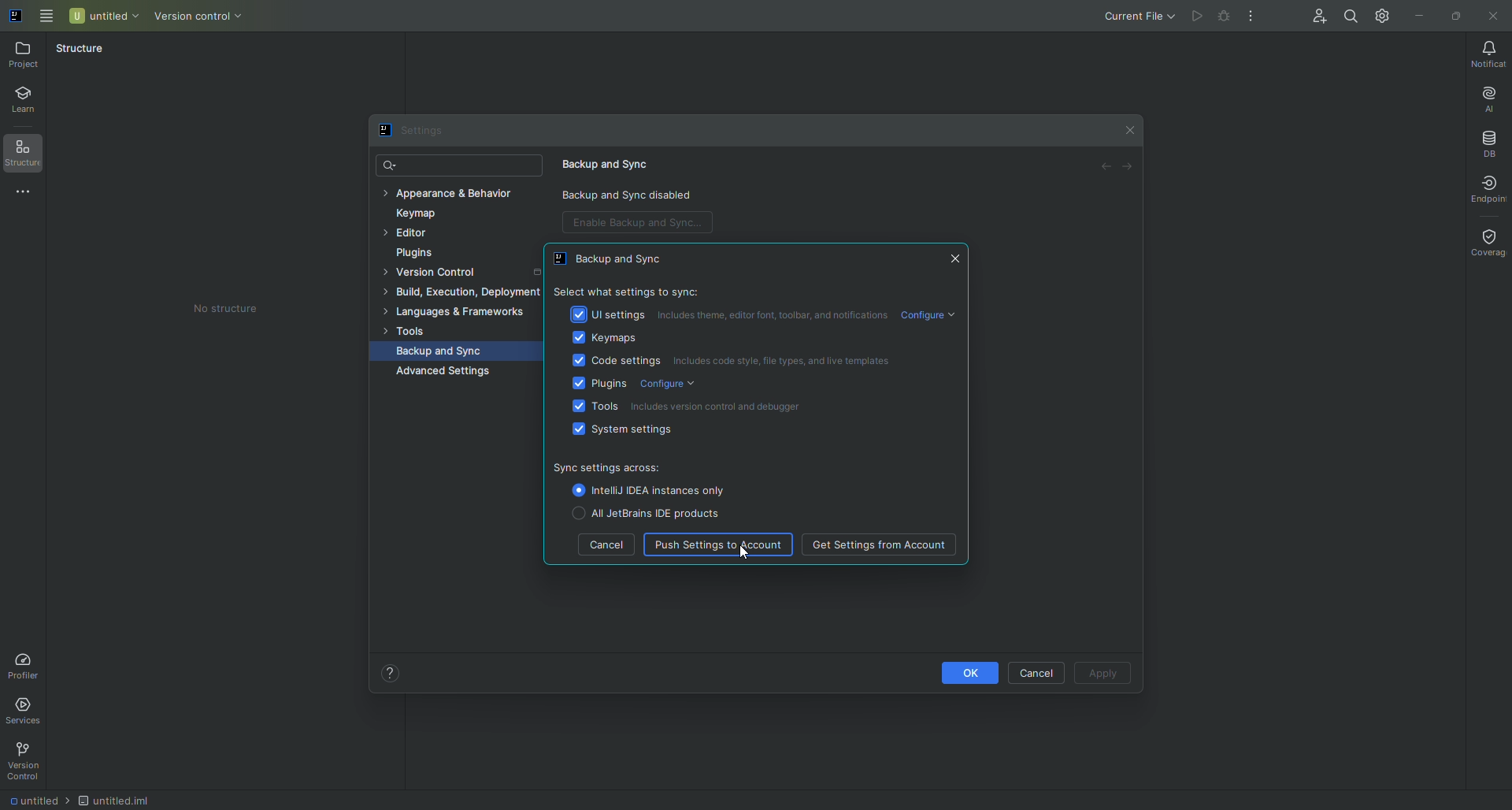  What do you see at coordinates (1129, 131) in the screenshot?
I see `Close` at bounding box center [1129, 131].